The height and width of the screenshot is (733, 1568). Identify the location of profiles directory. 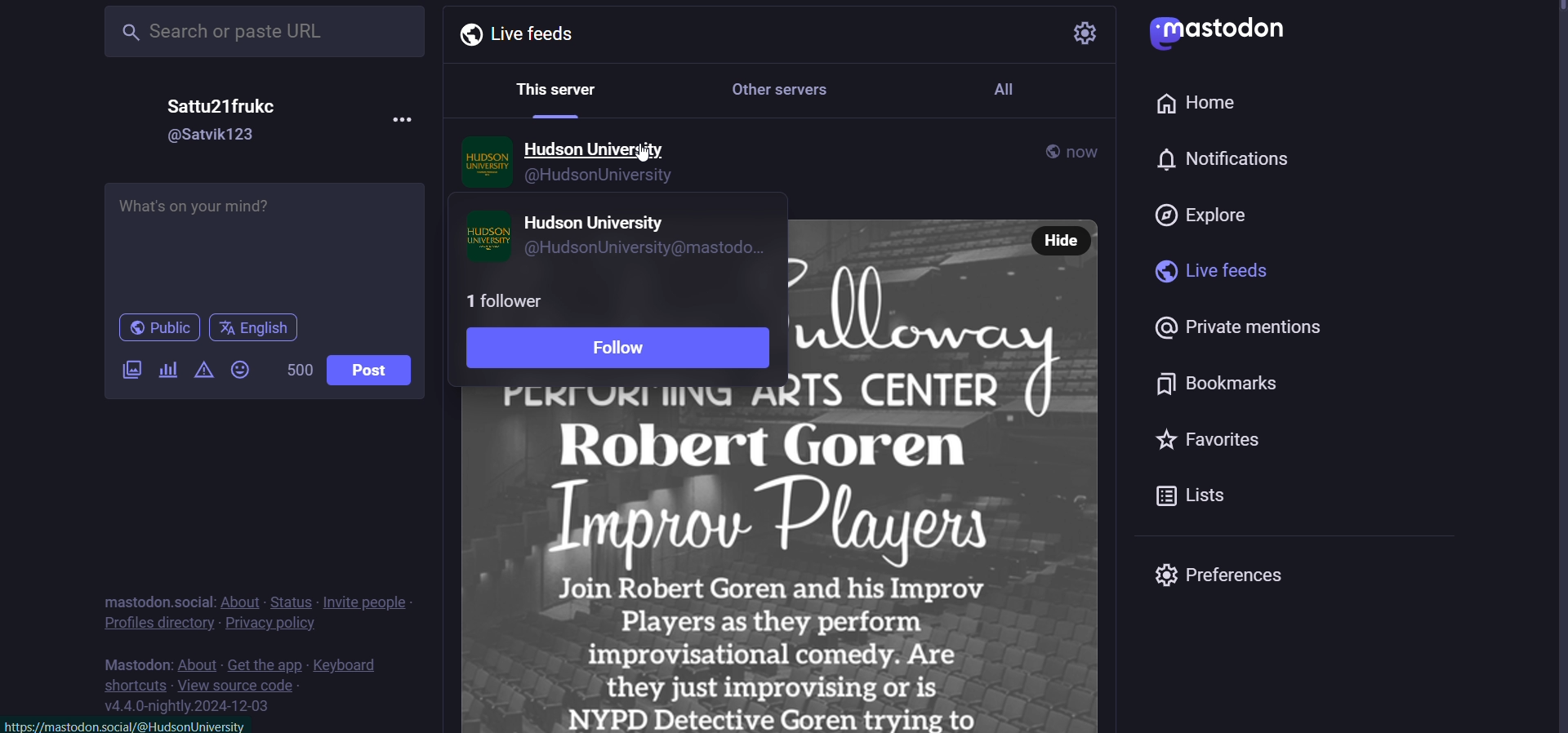
(158, 623).